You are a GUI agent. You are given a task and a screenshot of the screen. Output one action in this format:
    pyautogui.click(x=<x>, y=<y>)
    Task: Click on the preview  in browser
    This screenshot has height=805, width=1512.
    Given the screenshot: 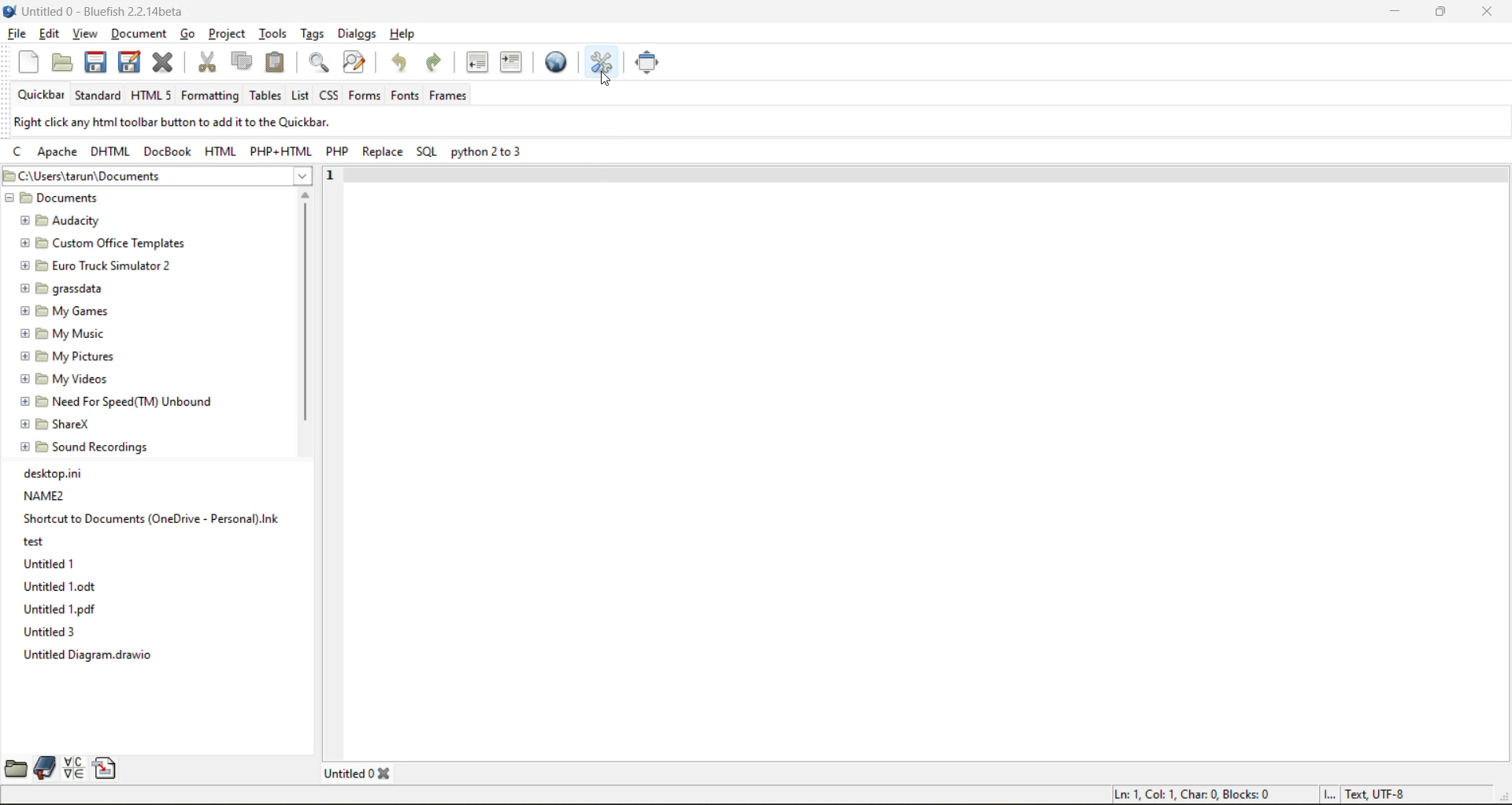 What is the action you would take?
    pyautogui.click(x=561, y=62)
    